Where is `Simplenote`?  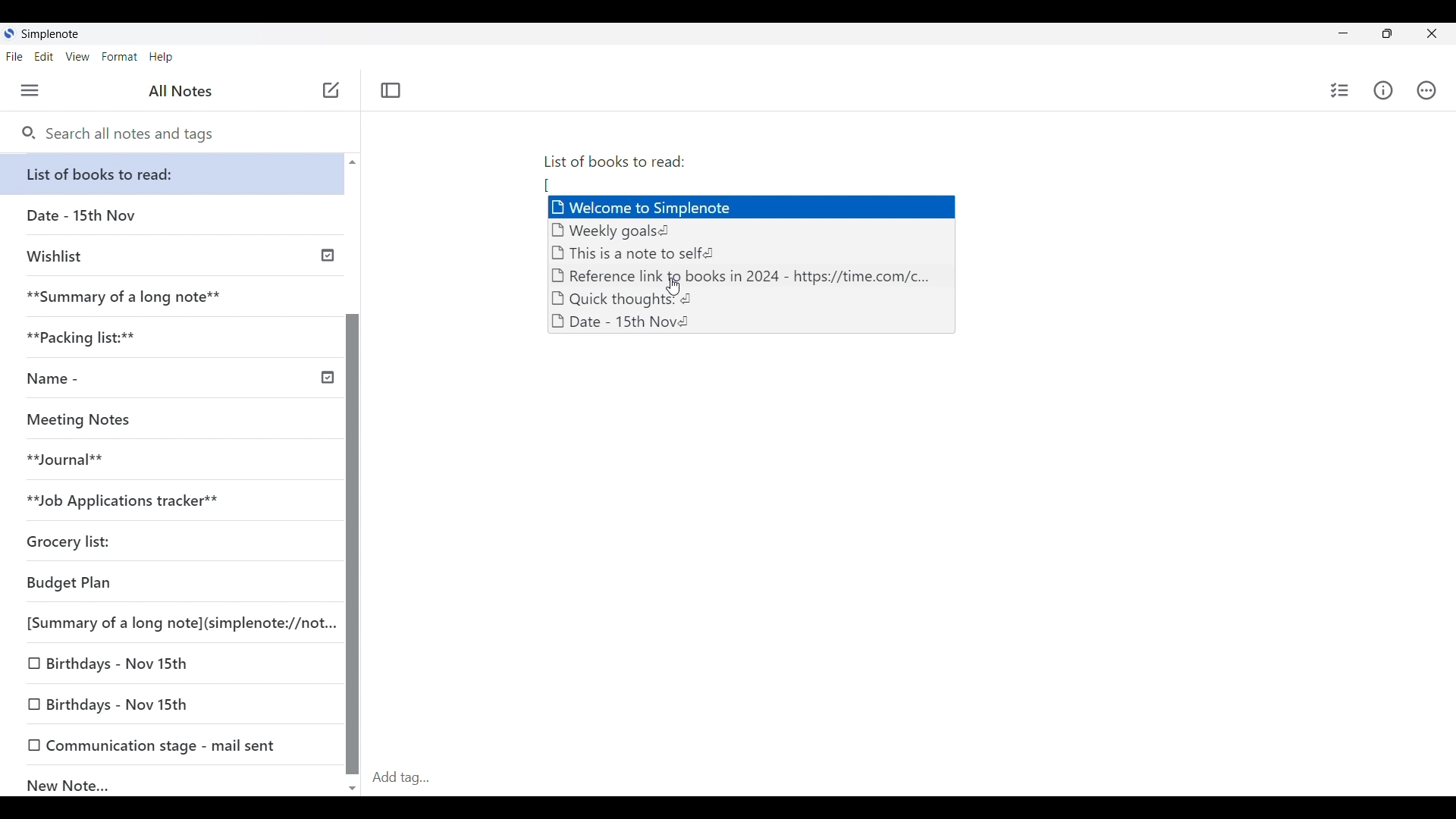 Simplenote is located at coordinates (49, 34).